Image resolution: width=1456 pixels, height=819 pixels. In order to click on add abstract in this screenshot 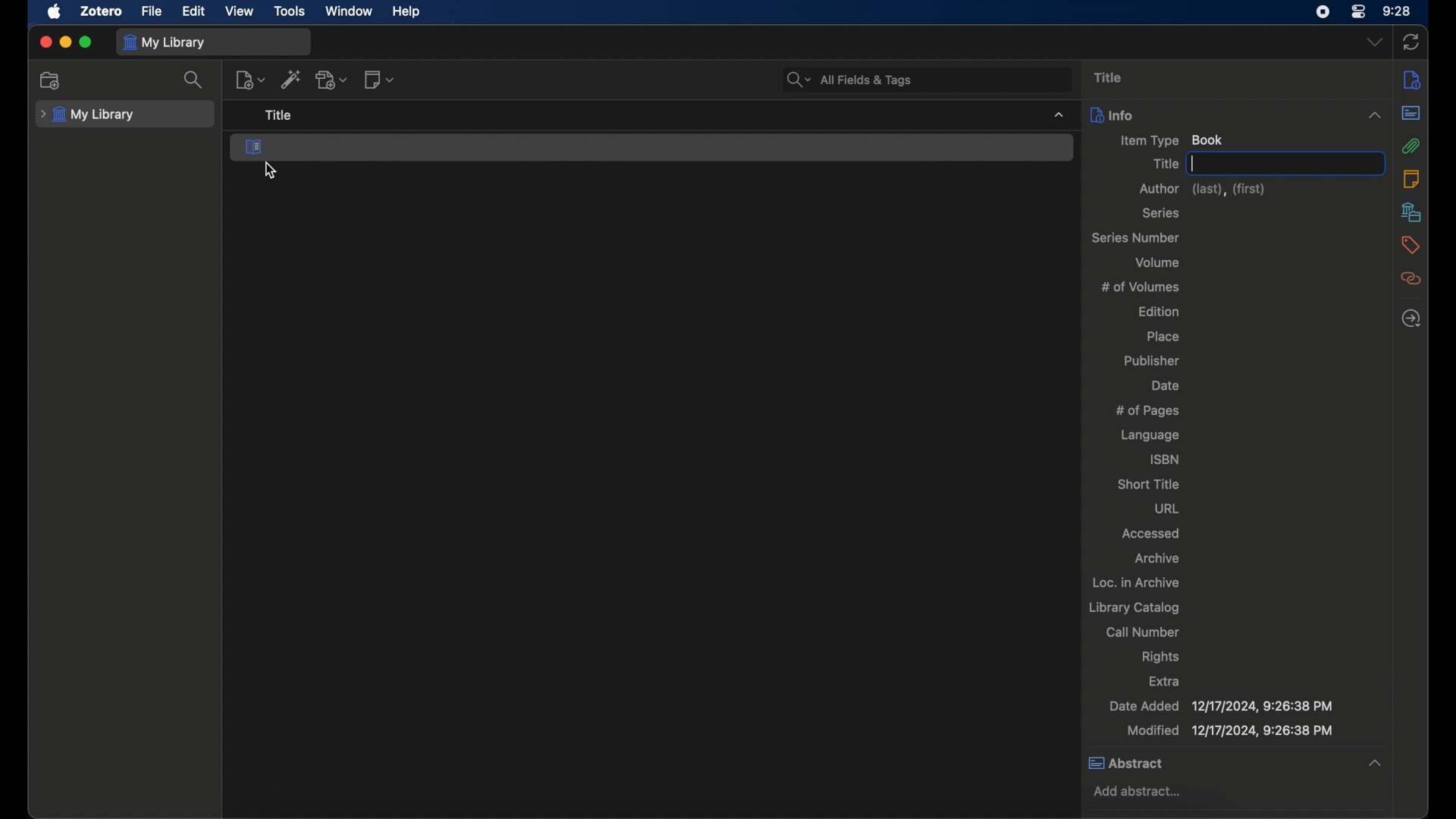, I will do `click(1141, 792)`.